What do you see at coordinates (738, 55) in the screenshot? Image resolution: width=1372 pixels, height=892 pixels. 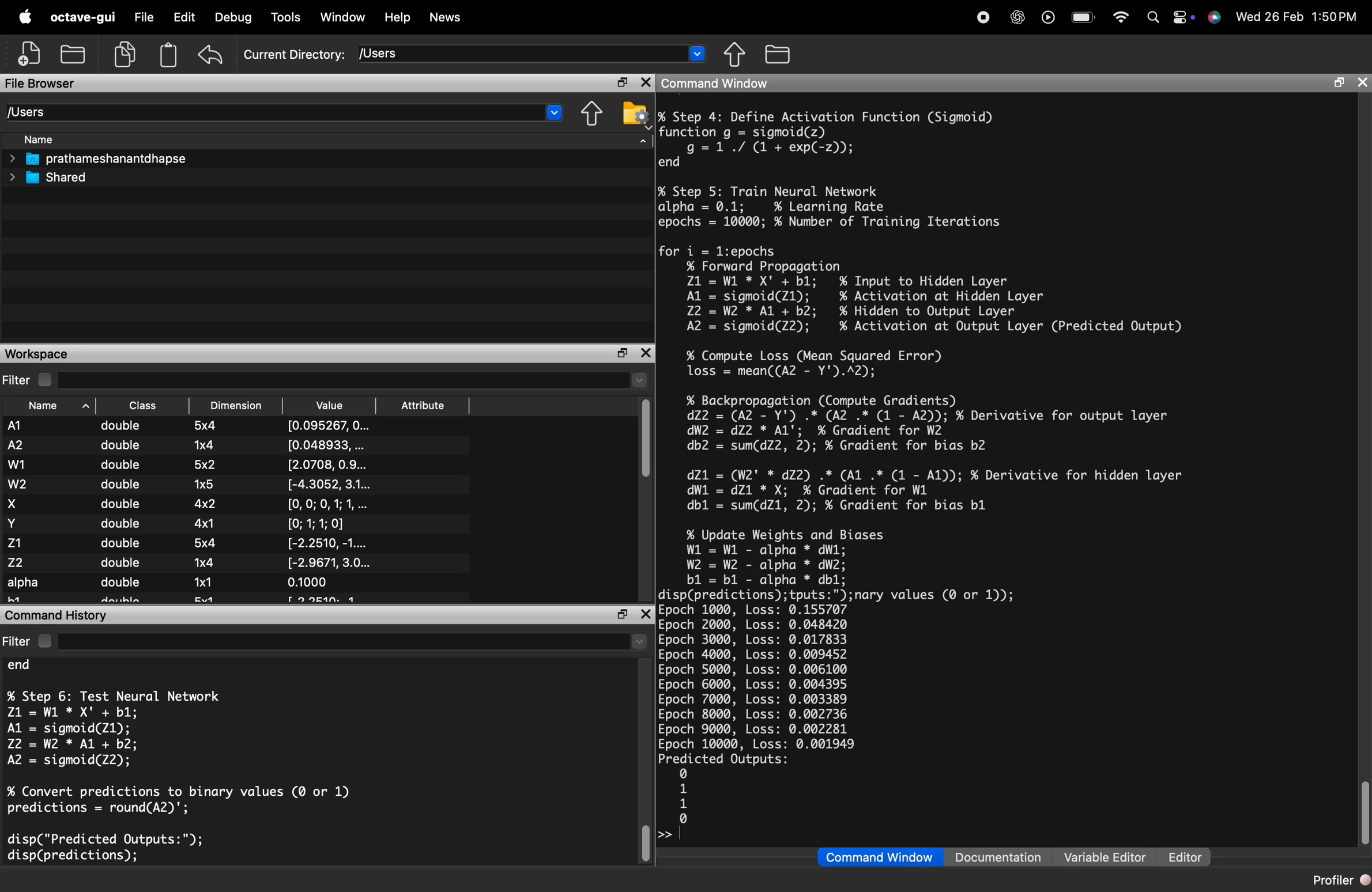 I see `one directory up` at bounding box center [738, 55].